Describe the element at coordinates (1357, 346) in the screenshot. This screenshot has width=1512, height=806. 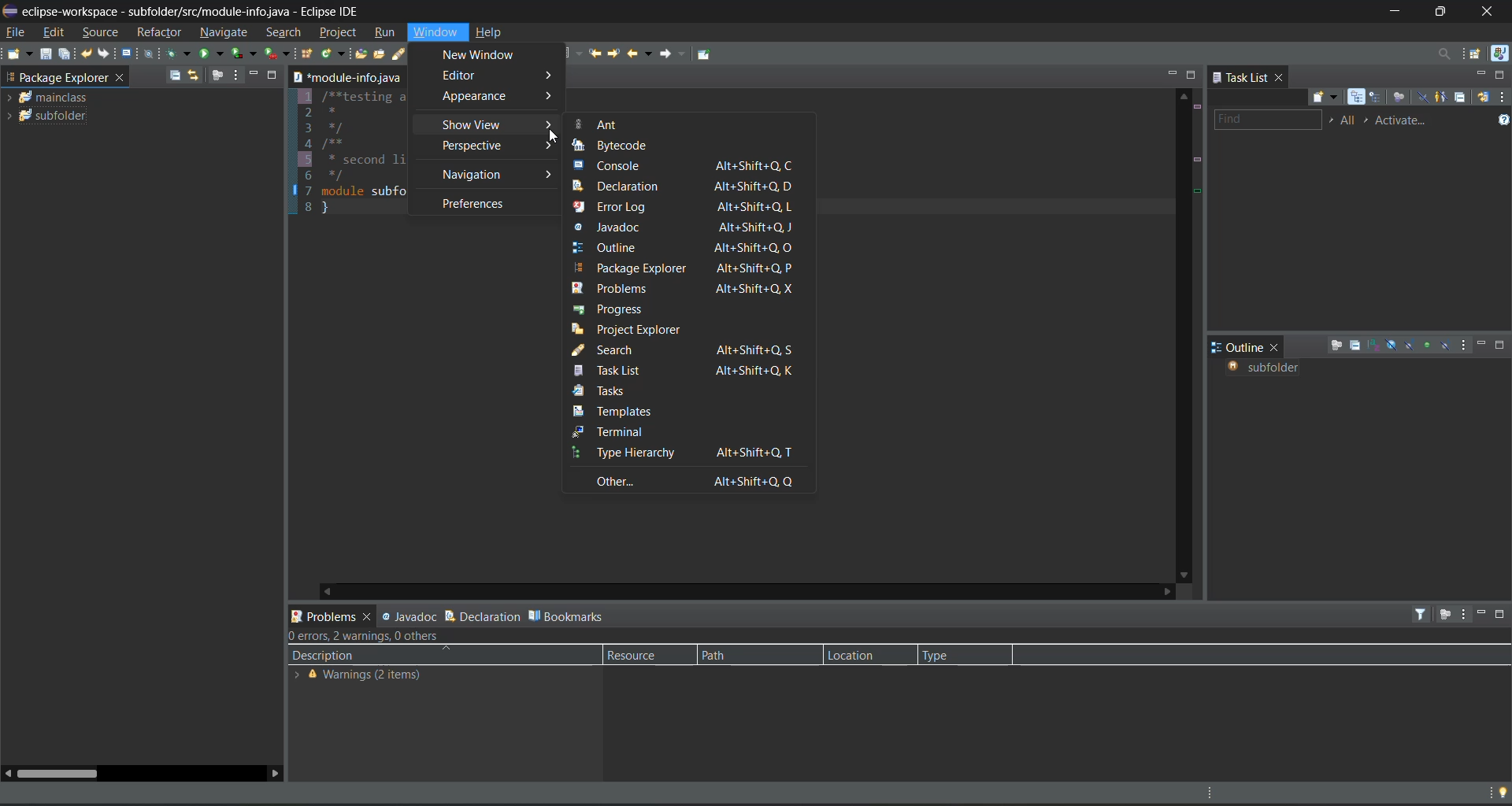
I see `collapse all` at that location.